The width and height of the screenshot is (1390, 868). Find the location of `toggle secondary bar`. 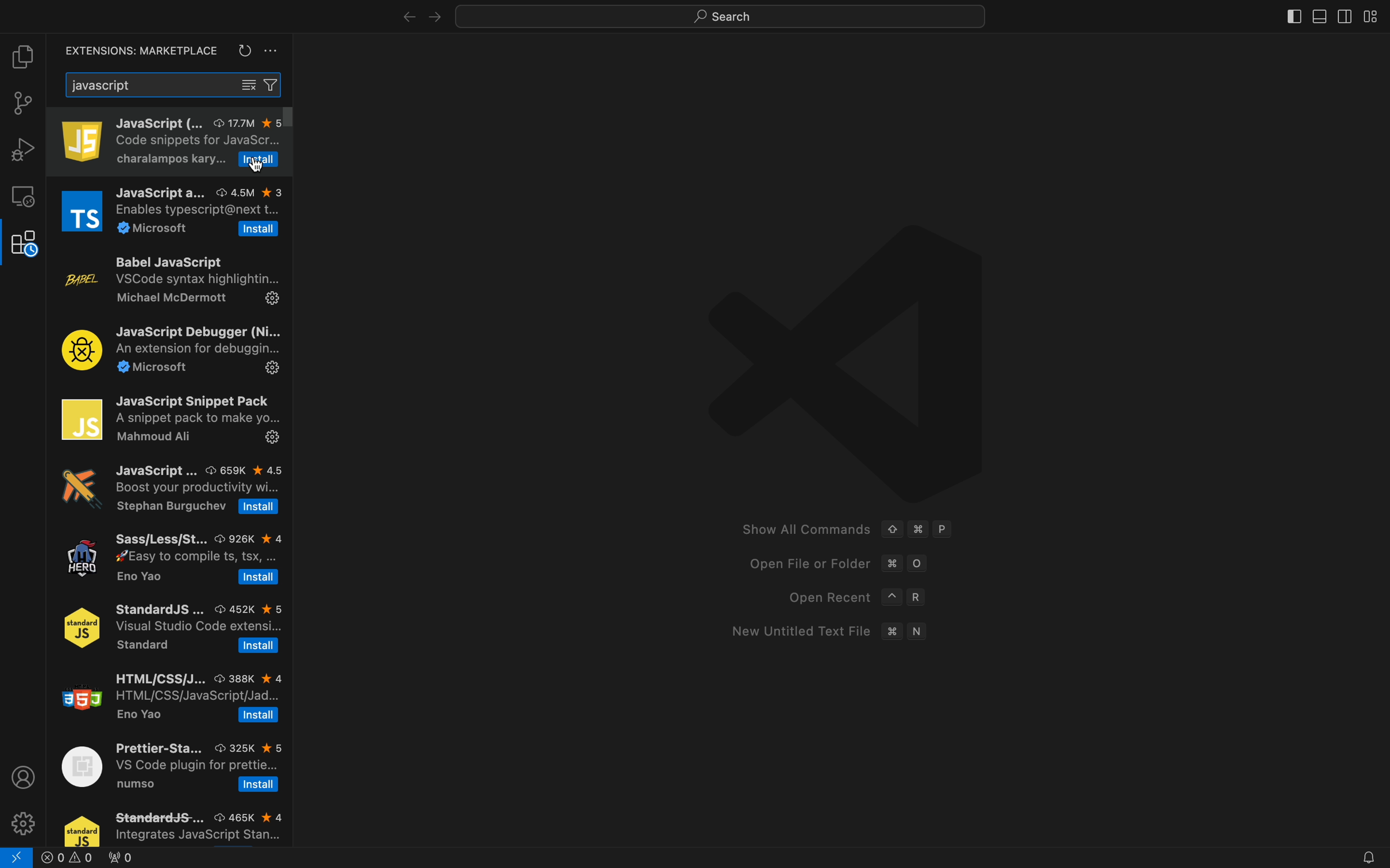

toggle secondary bar is located at coordinates (1343, 14).